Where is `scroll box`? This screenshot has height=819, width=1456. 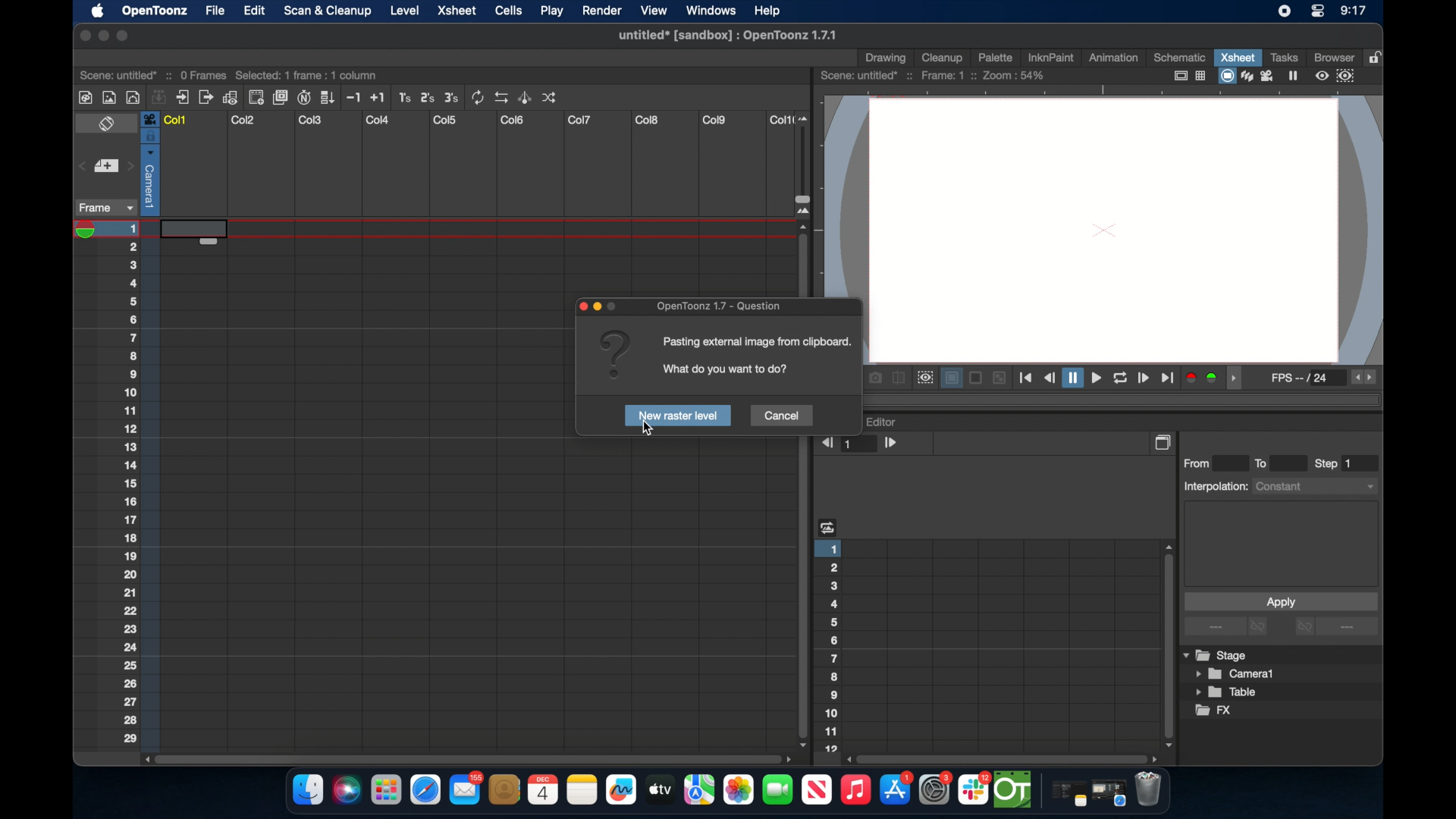 scroll box is located at coordinates (466, 758).